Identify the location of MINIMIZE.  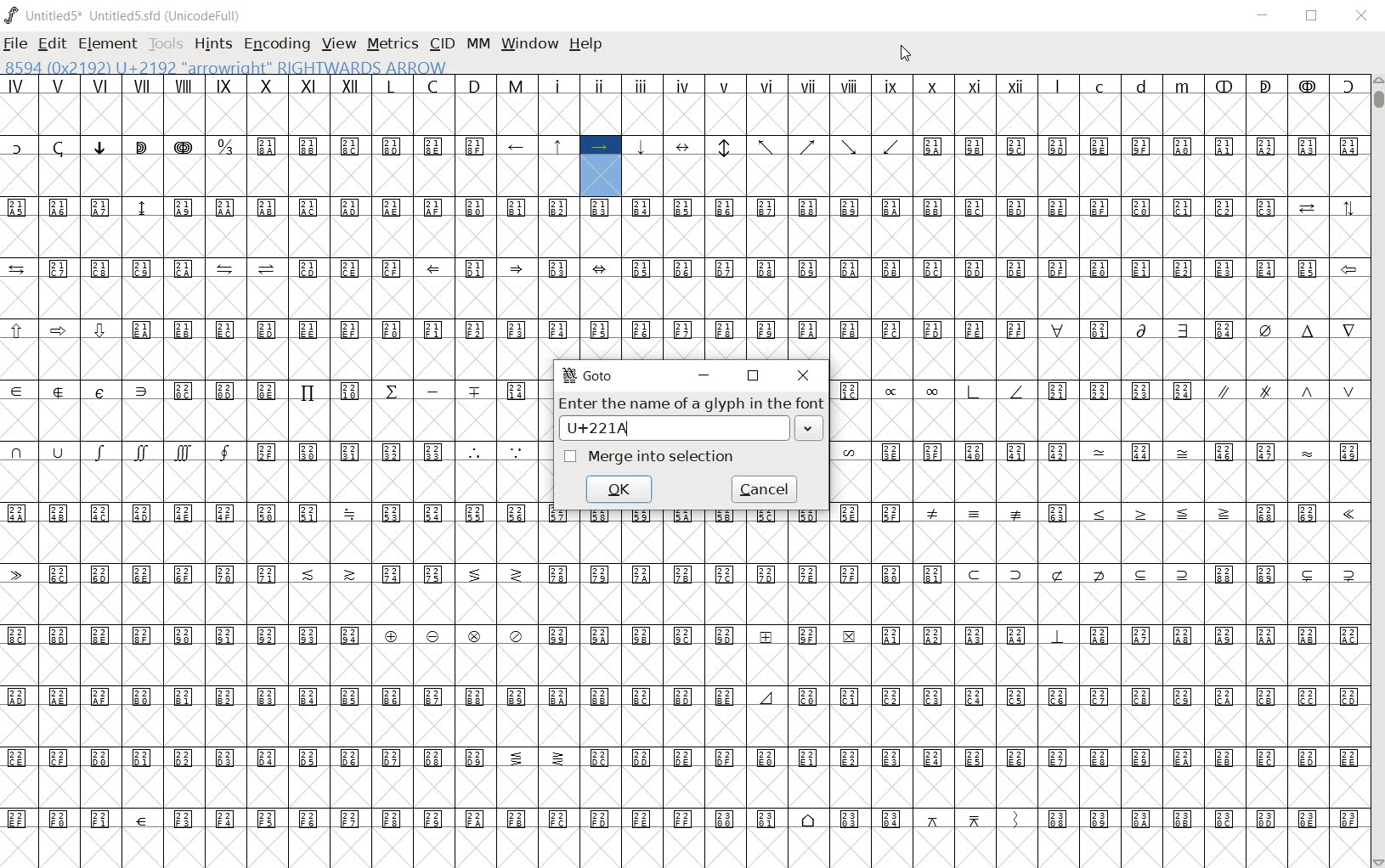
(1263, 16).